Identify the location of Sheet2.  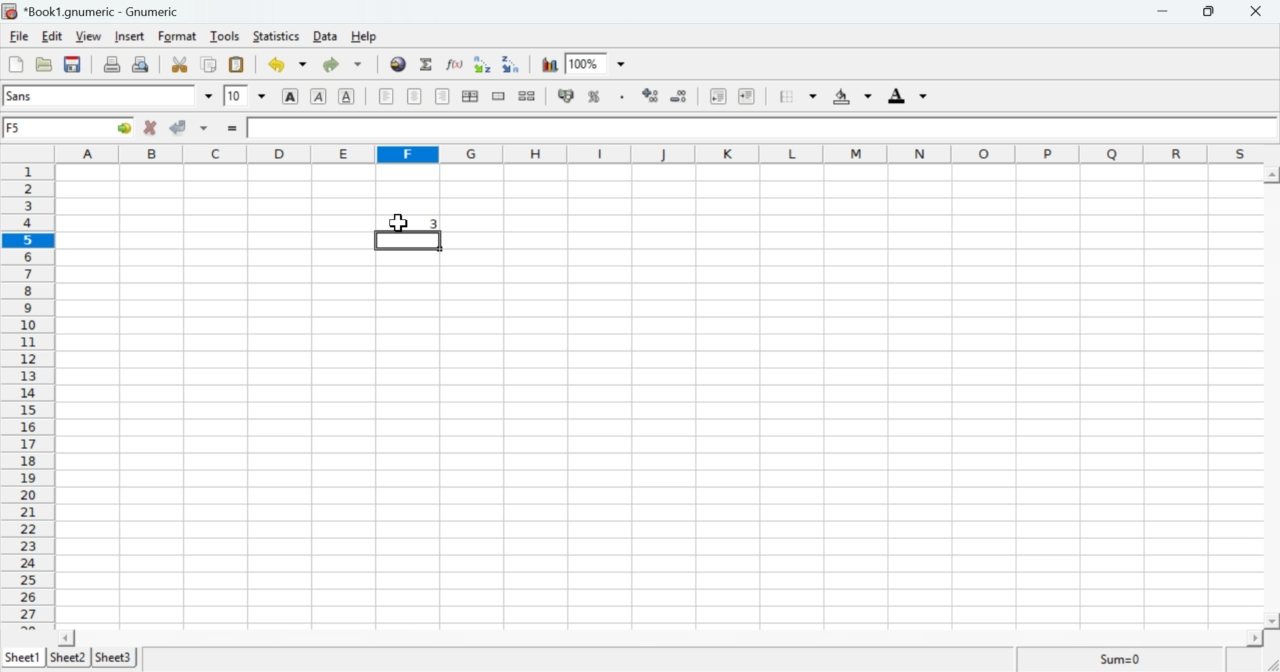
(67, 655).